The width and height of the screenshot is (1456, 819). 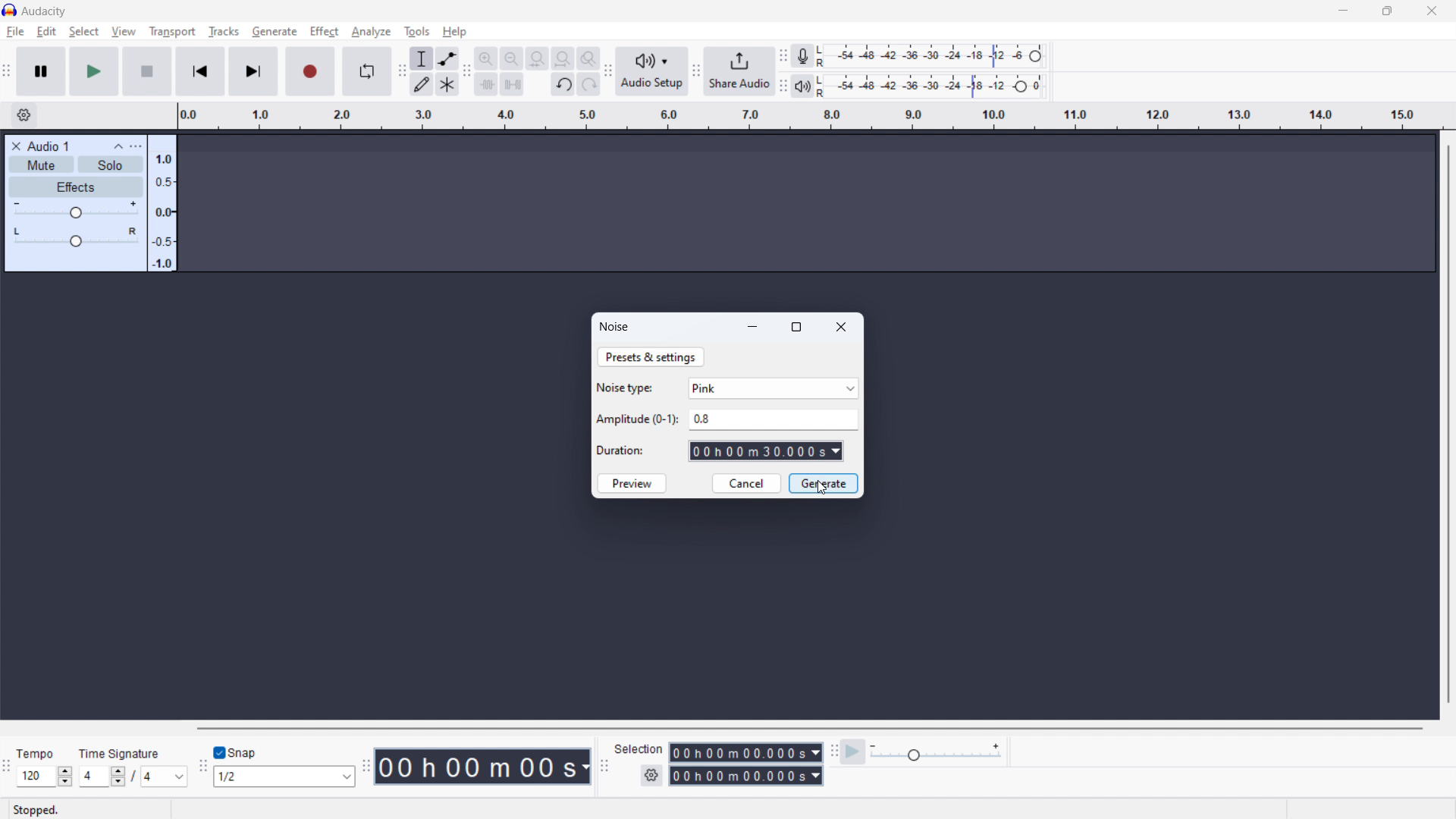 I want to click on maximize, so click(x=1386, y=11).